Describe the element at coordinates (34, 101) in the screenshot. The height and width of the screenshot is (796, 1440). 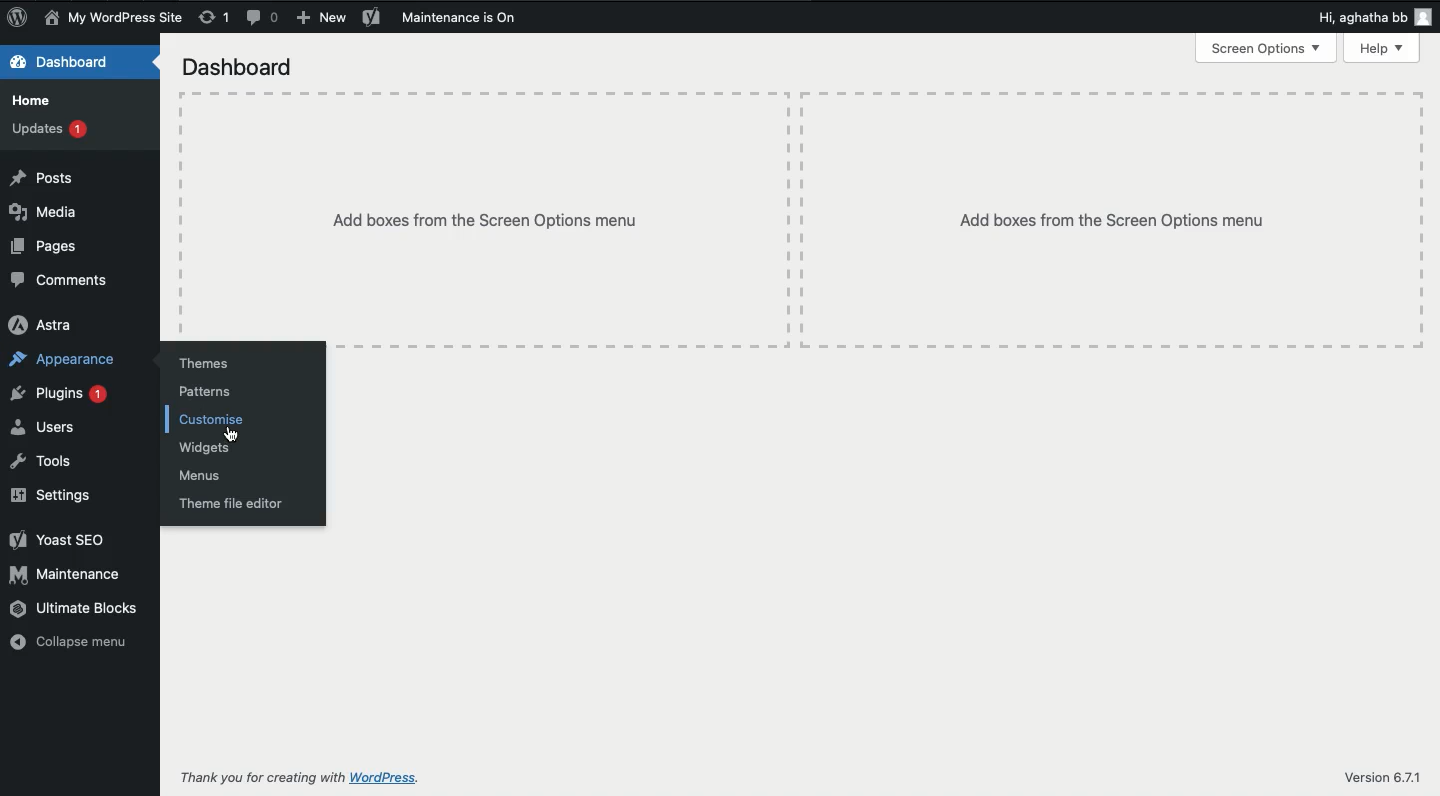
I see `Home` at that location.